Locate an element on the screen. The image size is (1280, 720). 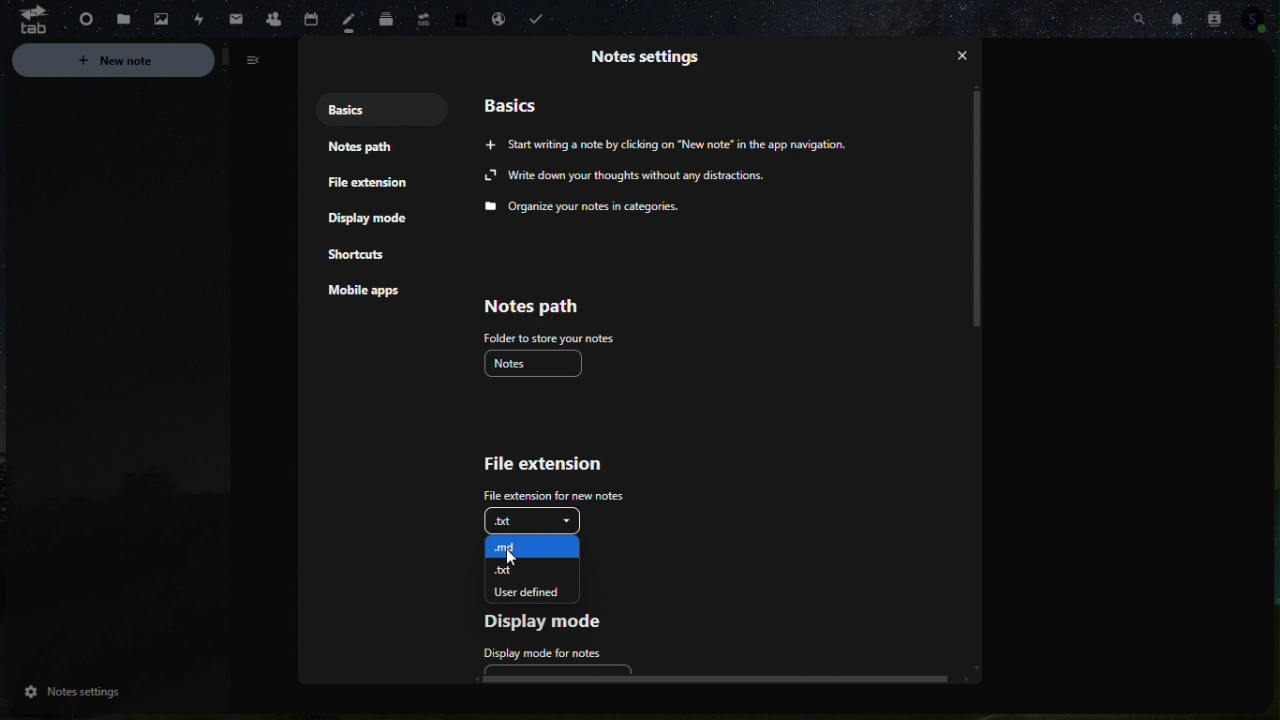
Dashboard is located at coordinates (78, 18).